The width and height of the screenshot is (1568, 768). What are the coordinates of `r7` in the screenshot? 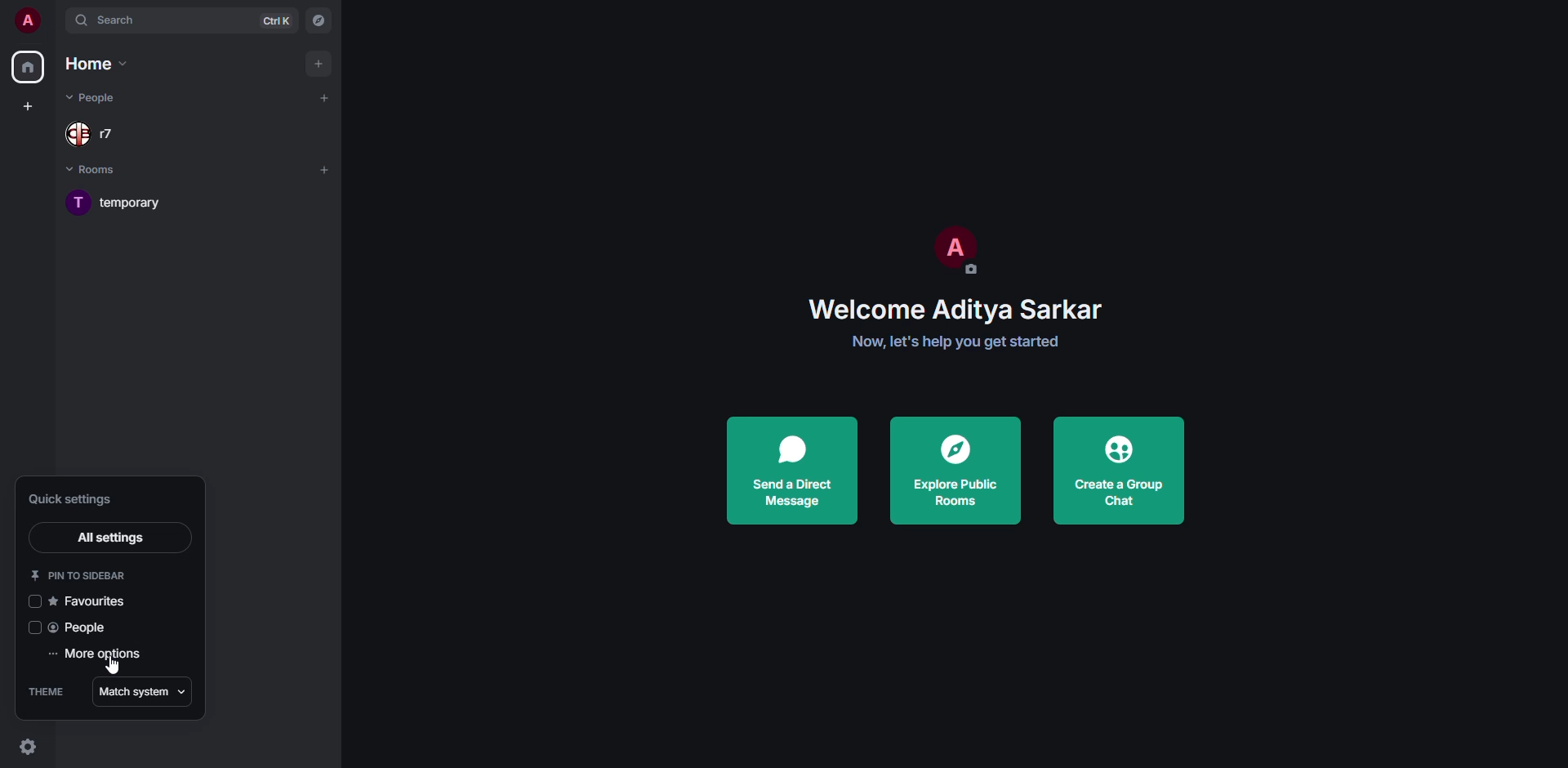 It's located at (95, 134).